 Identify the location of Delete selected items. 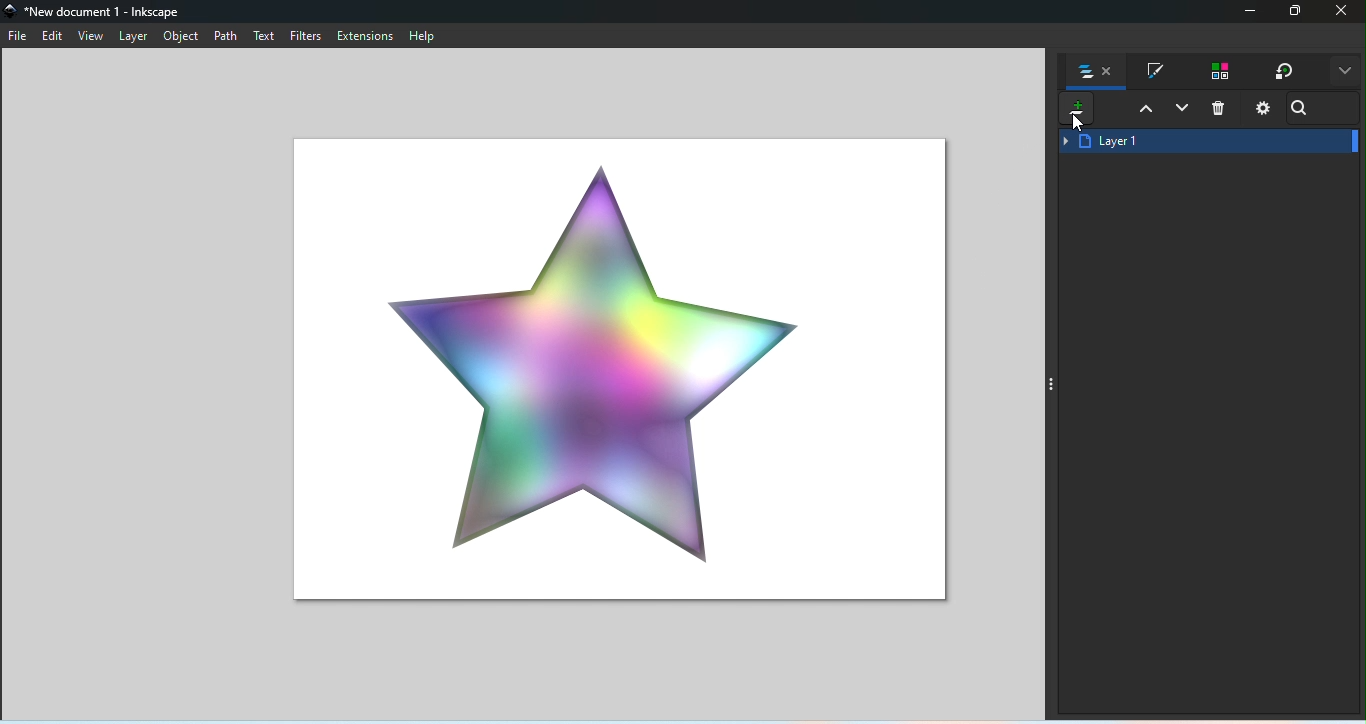
(1221, 110).